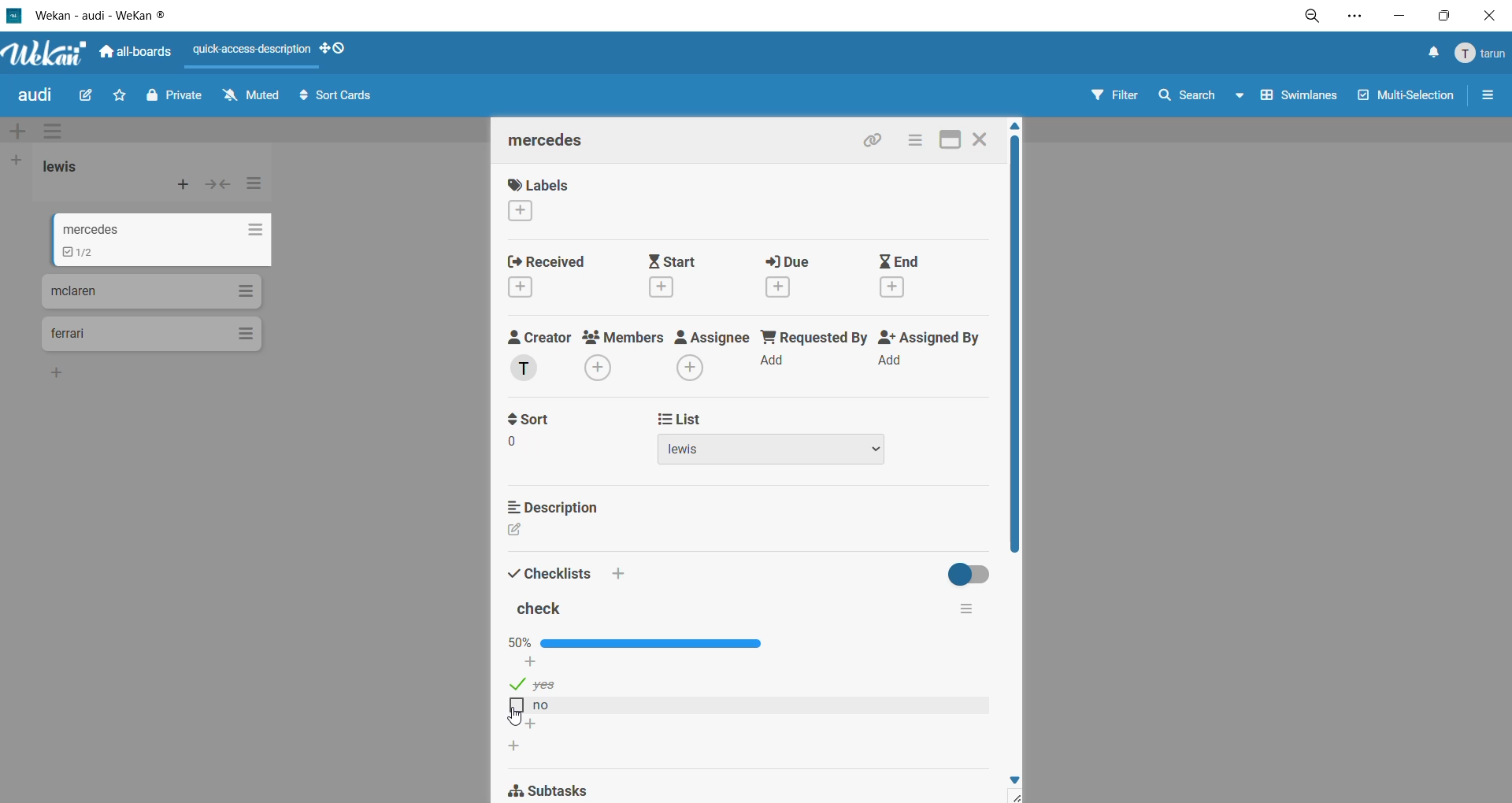 The height and width of the screenshot is (803, 1512). Describe the element at coordinates (336, 97) in the screenshot. I see `sort cards` at that location.